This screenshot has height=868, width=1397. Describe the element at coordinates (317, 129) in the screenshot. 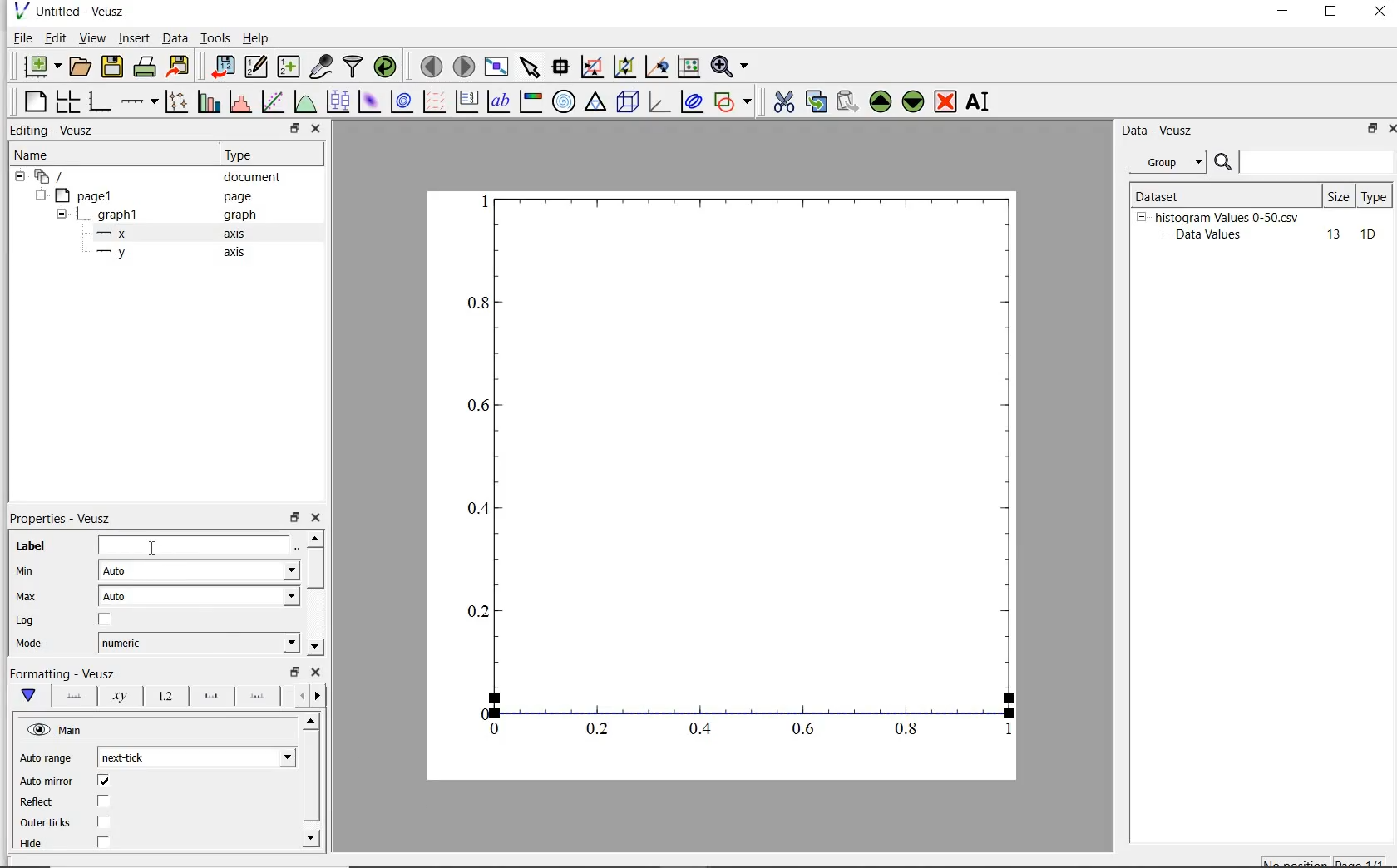

I see `close` at that location.